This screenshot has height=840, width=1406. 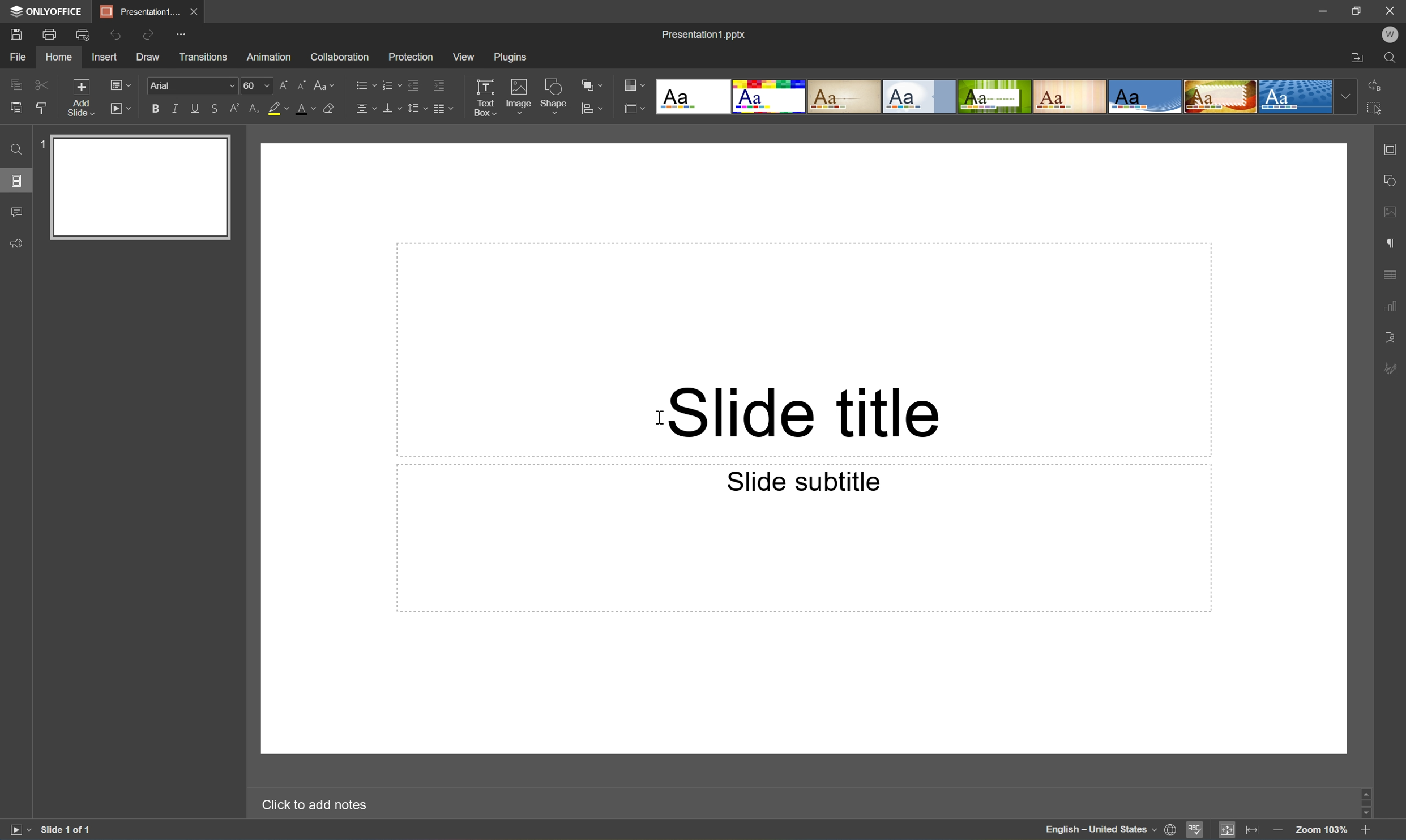 I want to click on Draw, so click(x=148, y=57).